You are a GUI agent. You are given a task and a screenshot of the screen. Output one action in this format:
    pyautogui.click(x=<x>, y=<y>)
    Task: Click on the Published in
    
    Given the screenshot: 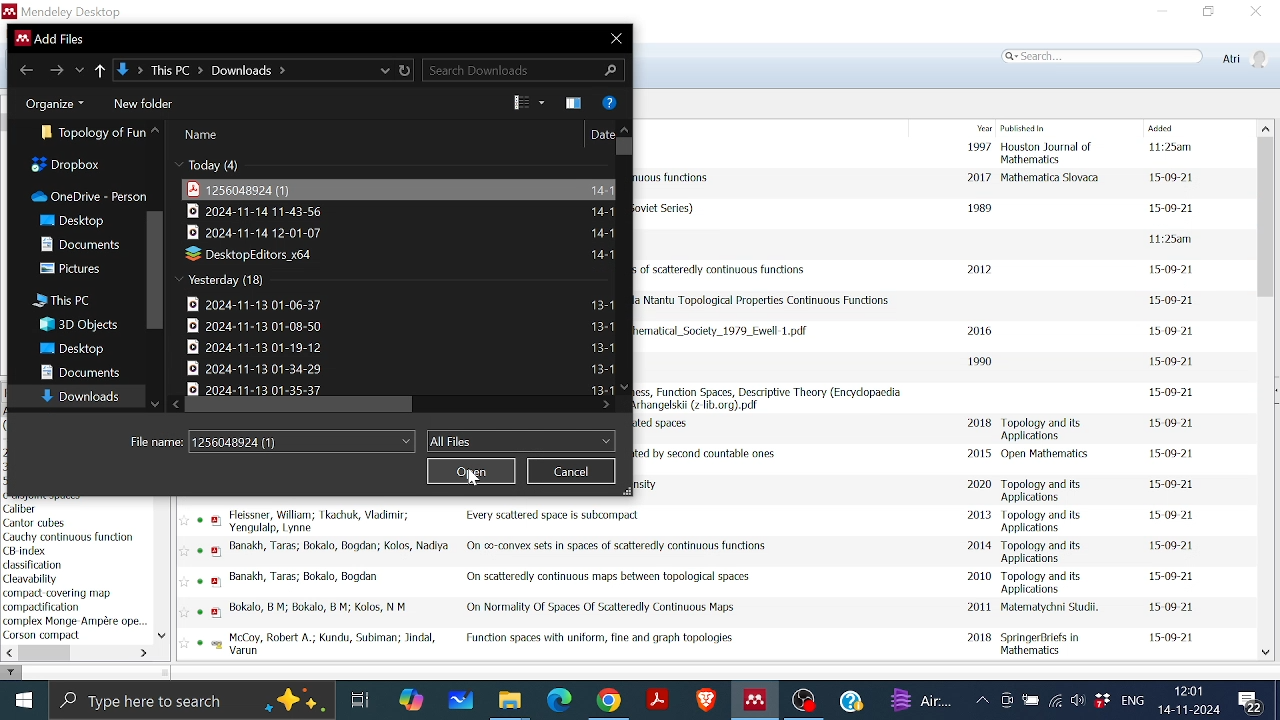 What is the action you would take?
    pyautogui.click(x=1048, y=582)
    